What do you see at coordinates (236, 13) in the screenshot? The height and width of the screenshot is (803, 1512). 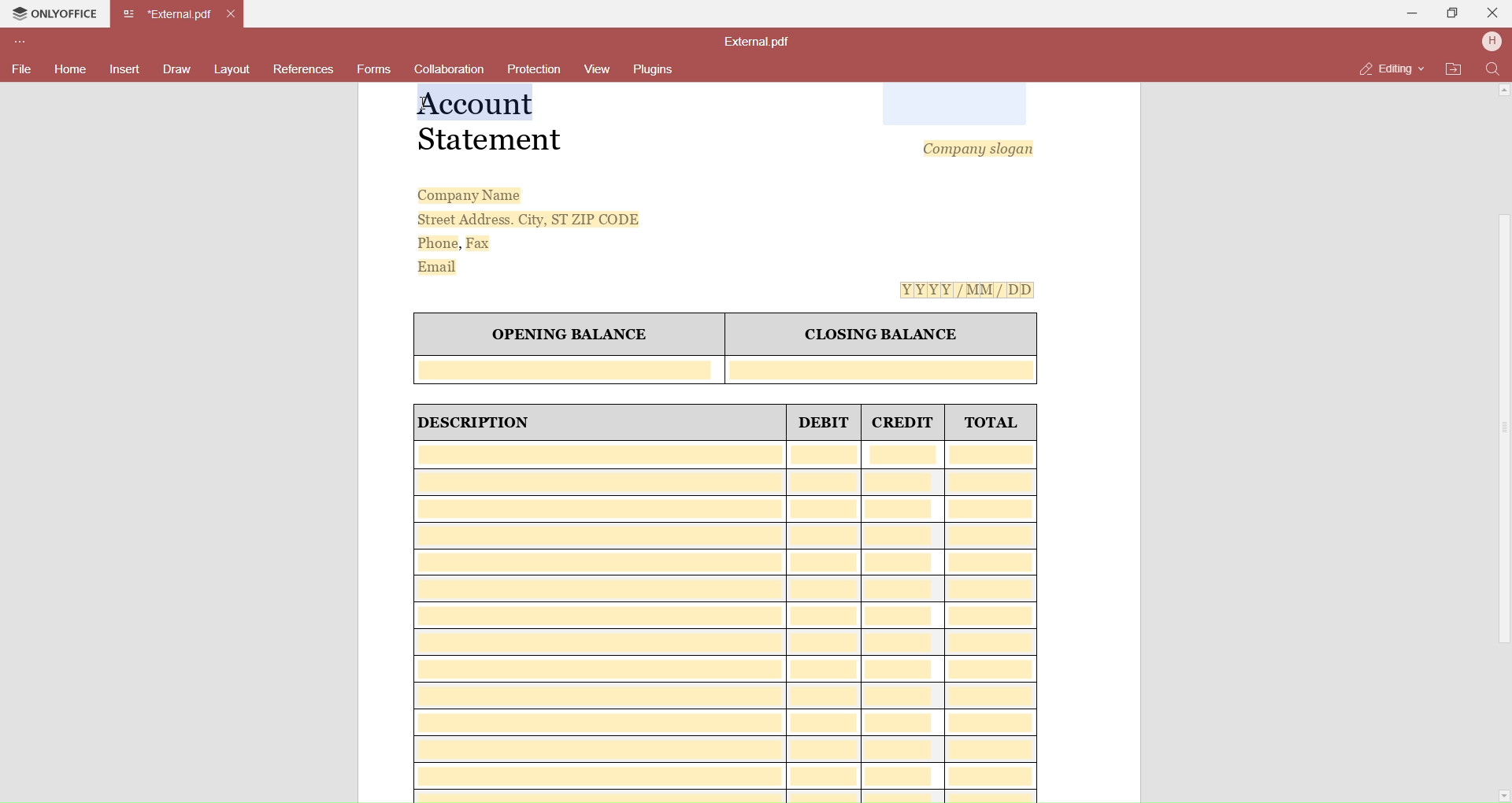 I see `Close Tab` at bounding box center [236, 13].